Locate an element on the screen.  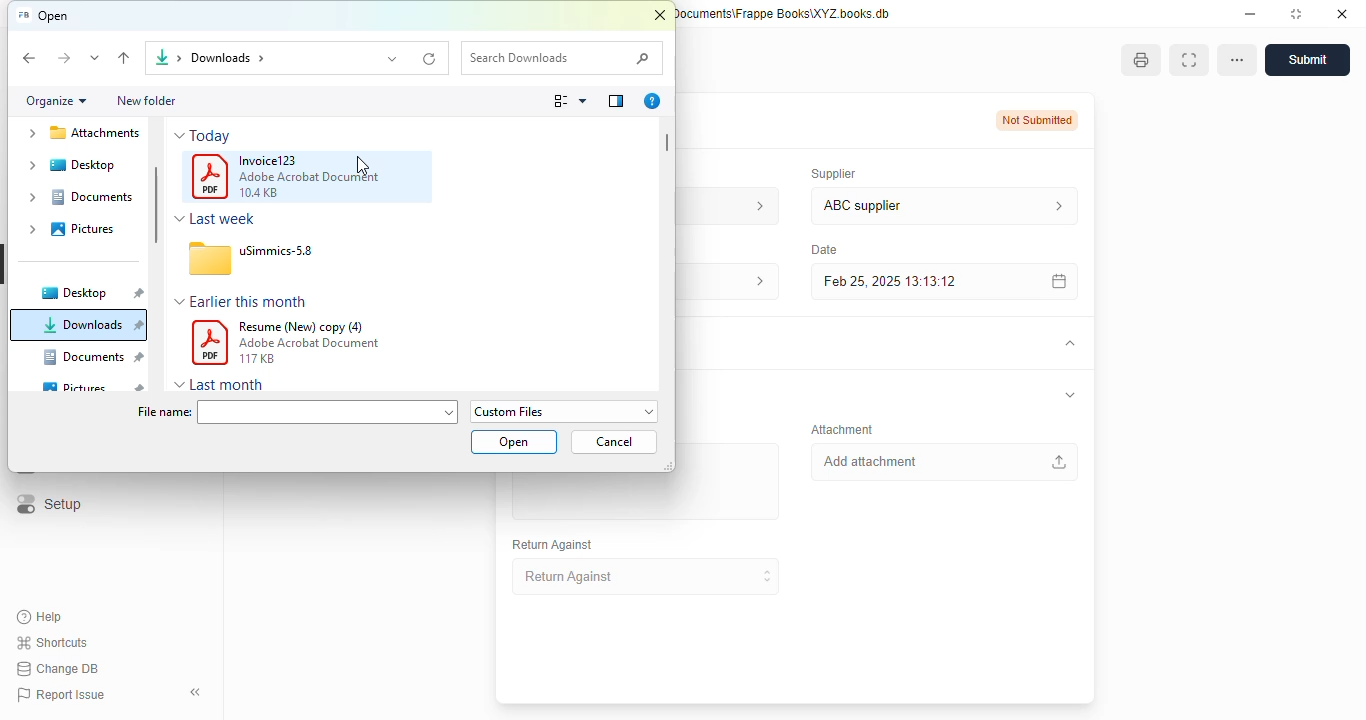
pictures is located at coordinates (93, 387).